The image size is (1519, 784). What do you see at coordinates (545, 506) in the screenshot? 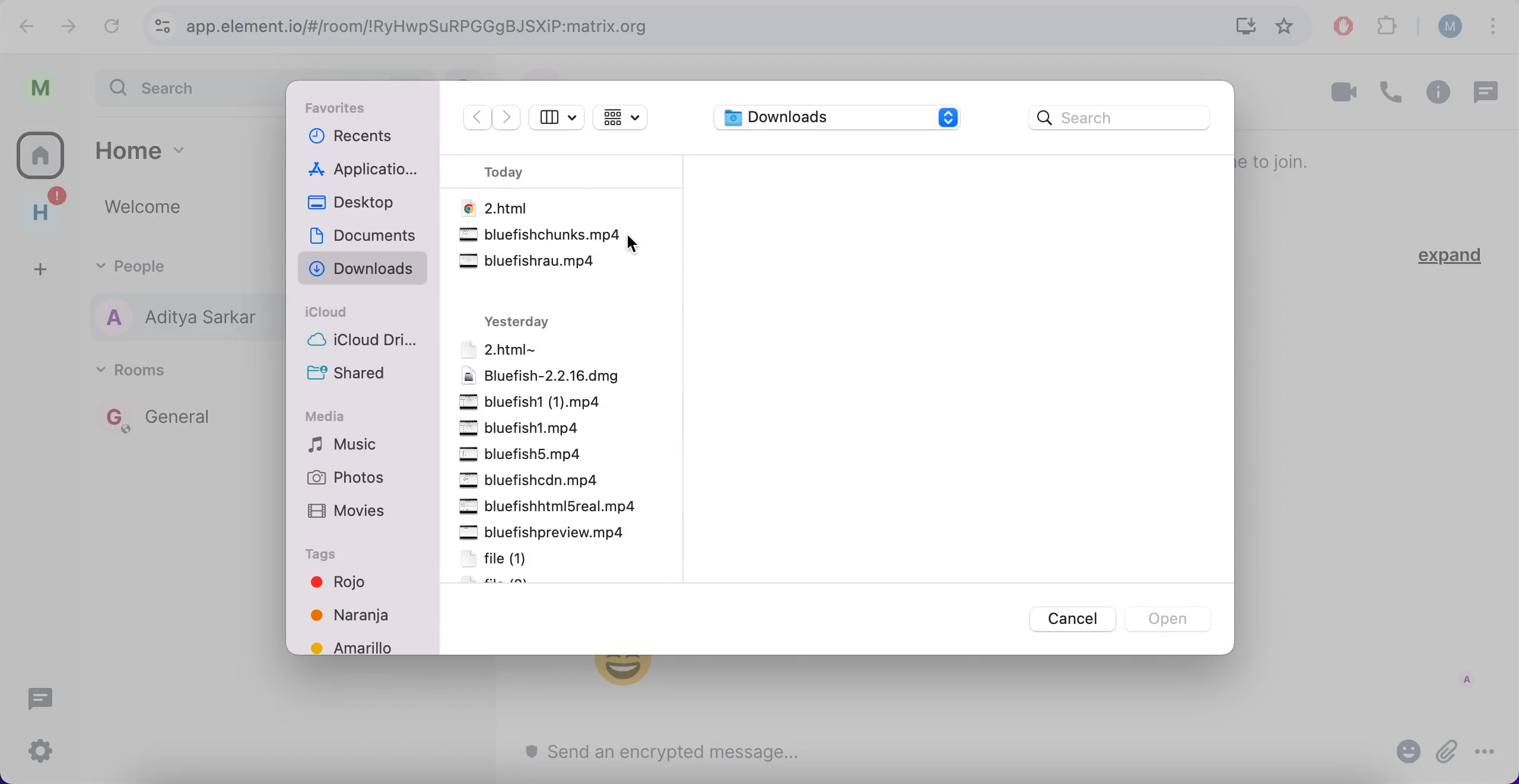
I see `file` at bounding box center [545, 506].